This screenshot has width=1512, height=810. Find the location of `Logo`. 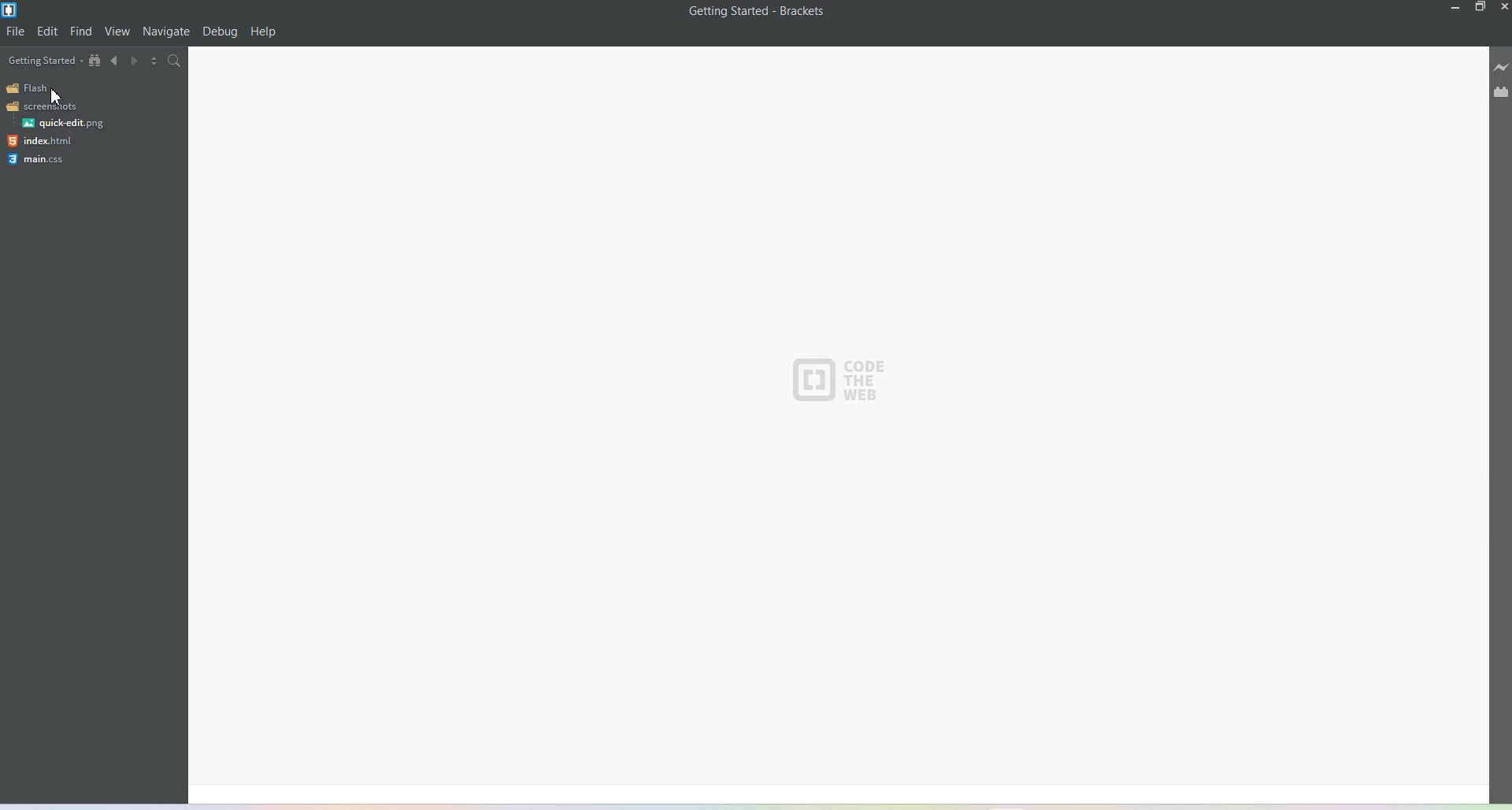

Logo is located at coordinates (63, 123).